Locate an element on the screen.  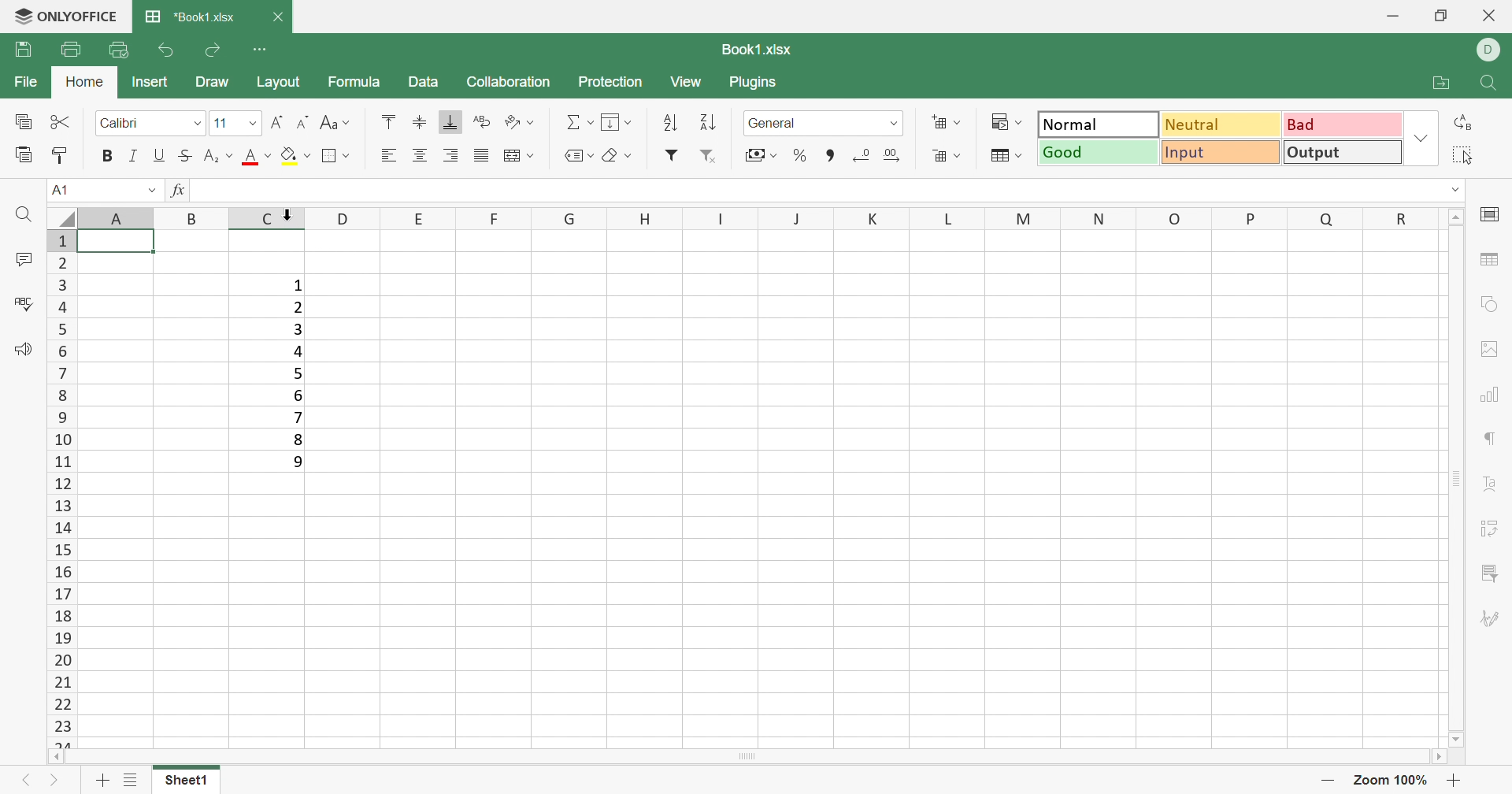
Bad is located at coordinates (1343, 124).